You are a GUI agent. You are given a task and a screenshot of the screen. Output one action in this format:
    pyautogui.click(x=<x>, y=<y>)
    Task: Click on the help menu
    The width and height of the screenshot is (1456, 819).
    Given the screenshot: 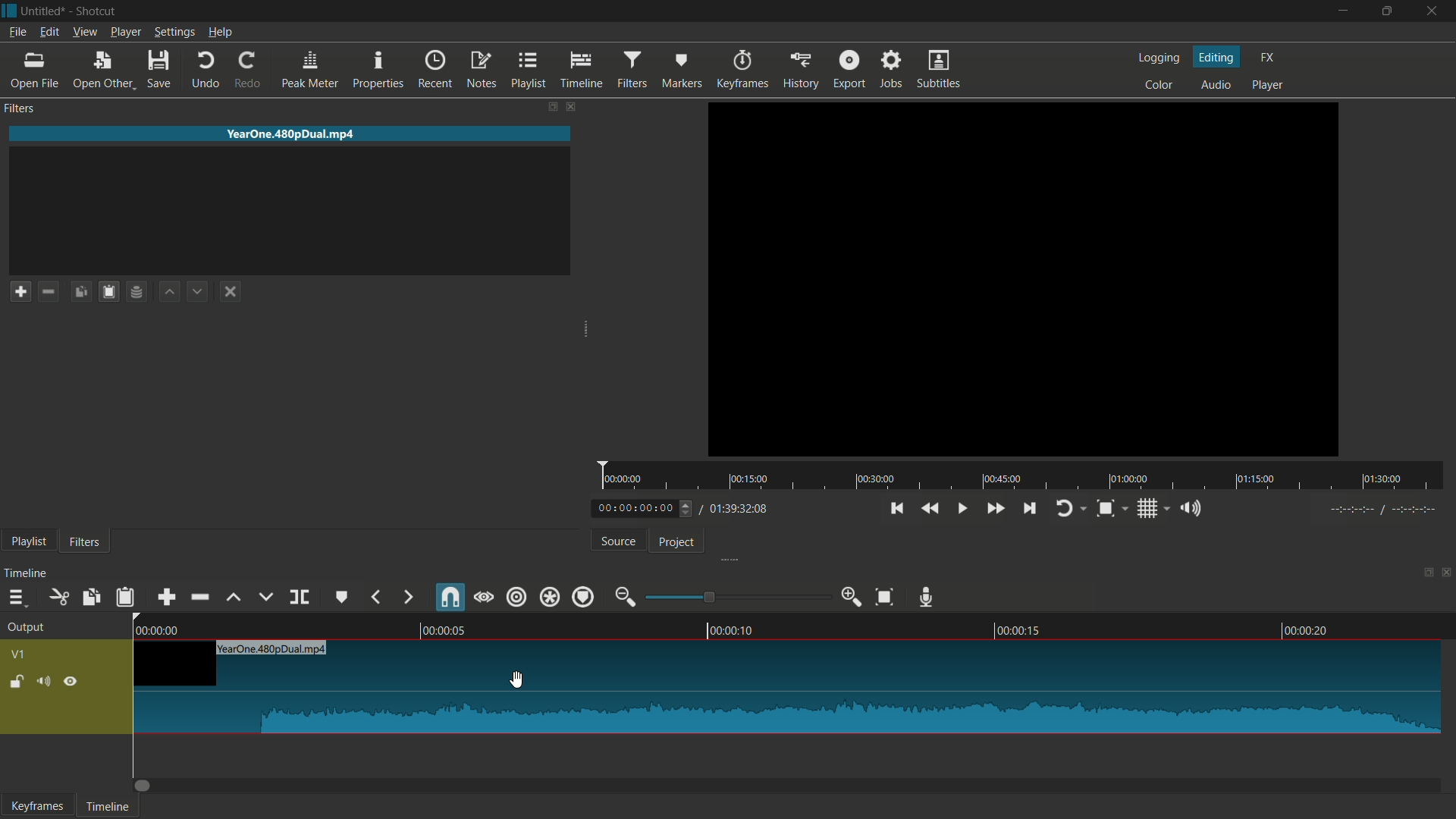 What is the action you would take?
    pyautogui.click(x=222, y=31)
    